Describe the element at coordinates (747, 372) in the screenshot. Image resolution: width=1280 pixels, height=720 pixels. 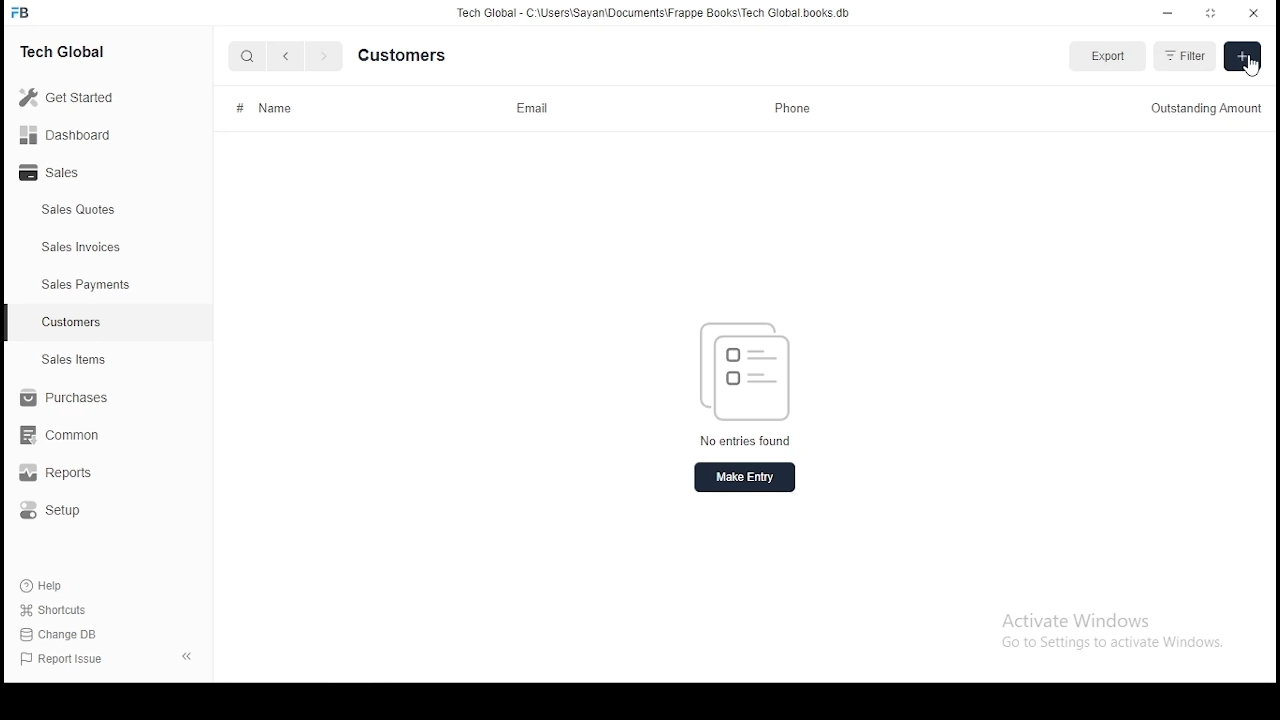
I see `logo` at that location.